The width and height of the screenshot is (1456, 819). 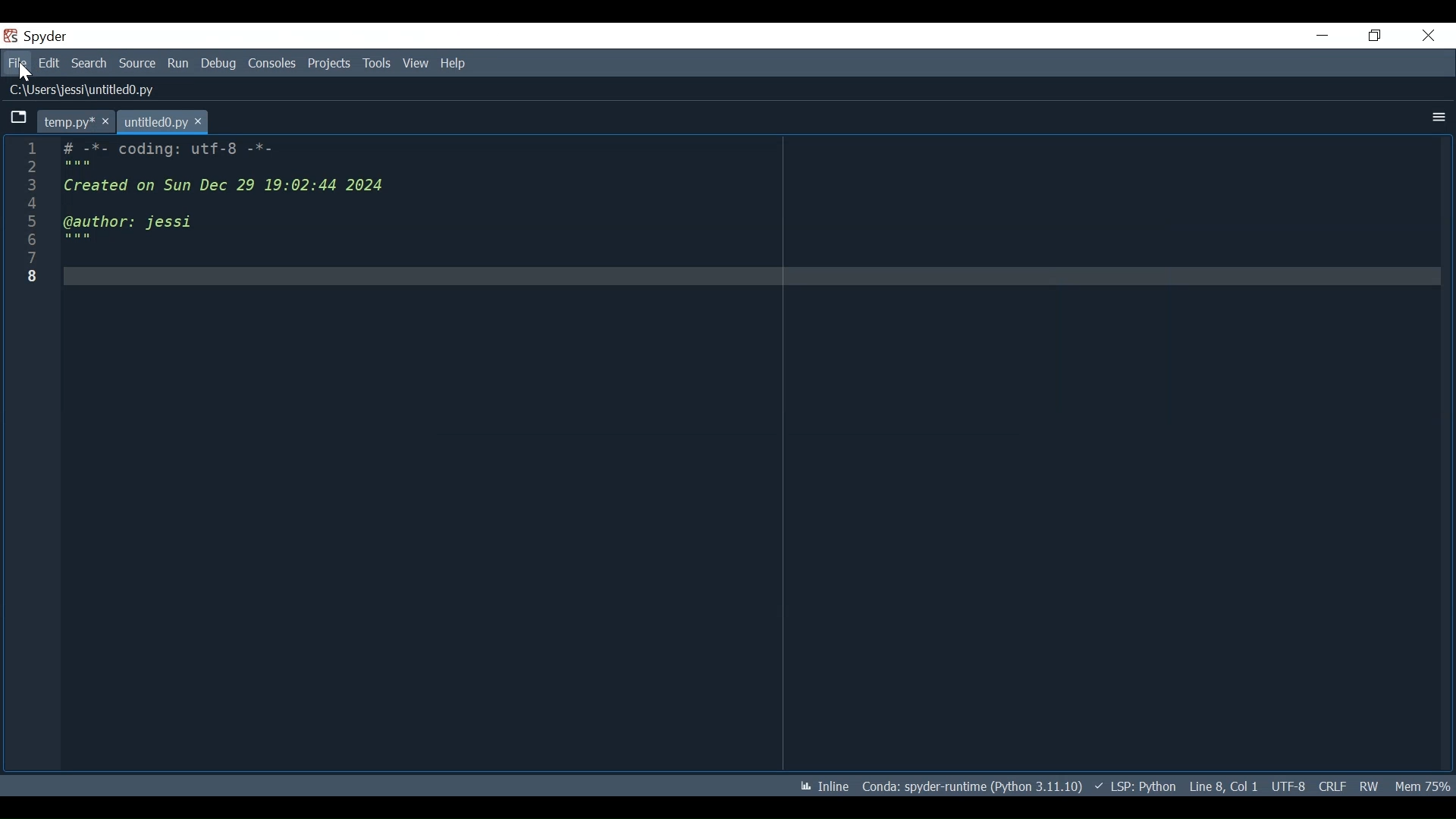 I want to click on Toggle between inline and interactive Matplotlib plotting, so click(x=821, y=786).